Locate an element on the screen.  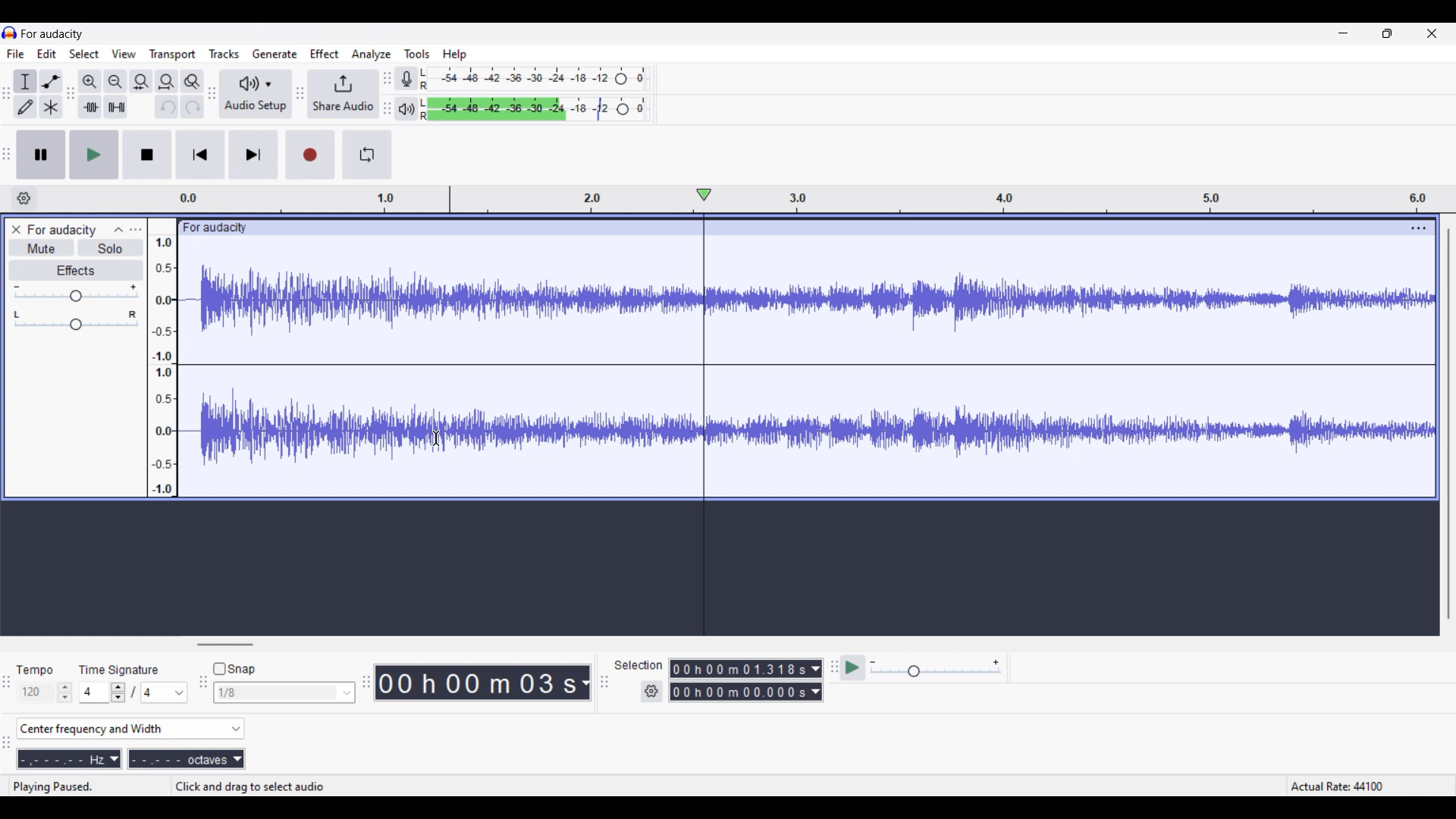
Minimize is located at coordinates (1343, 33).